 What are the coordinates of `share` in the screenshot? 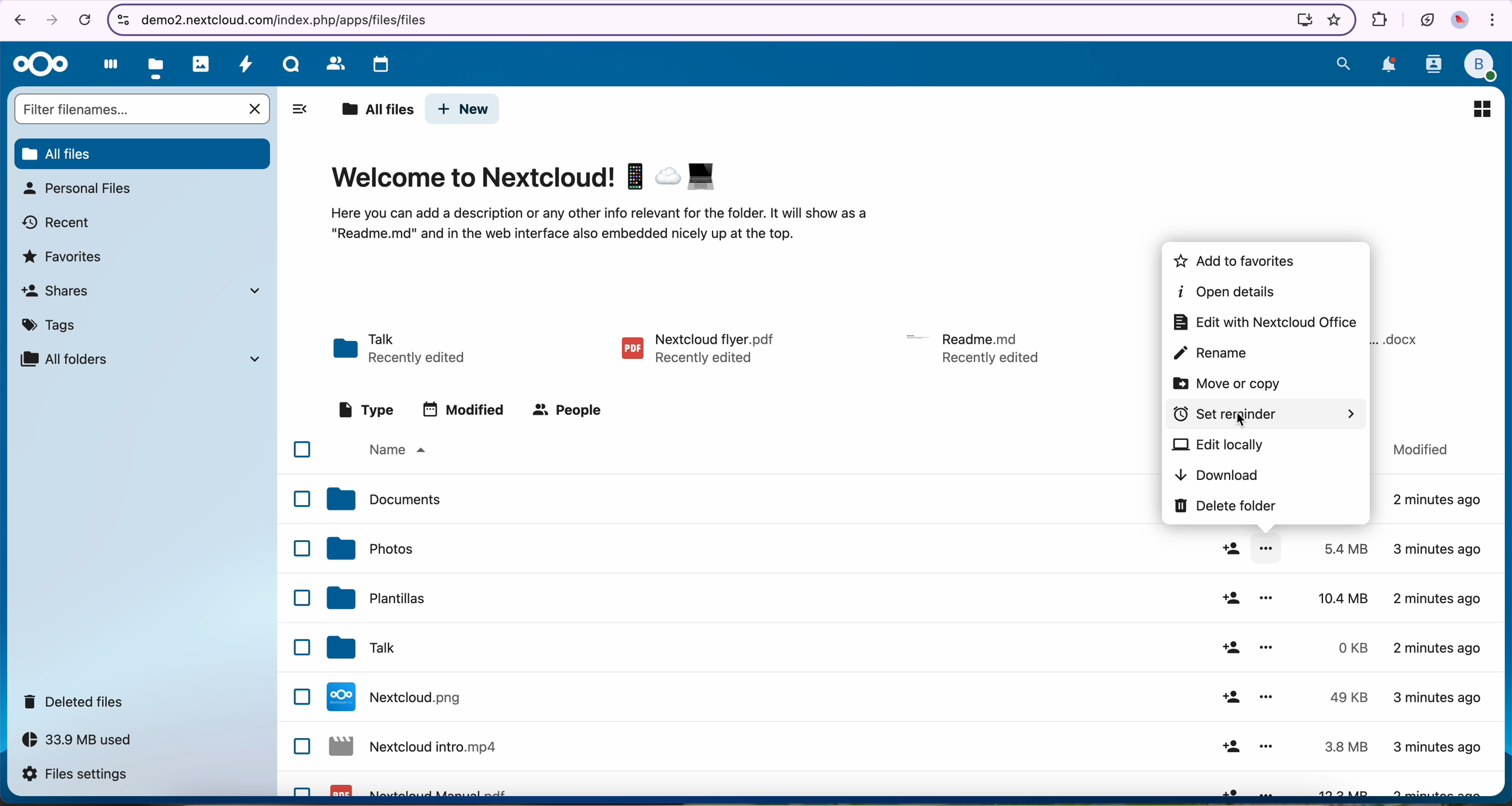 It's located at (1227, 550).